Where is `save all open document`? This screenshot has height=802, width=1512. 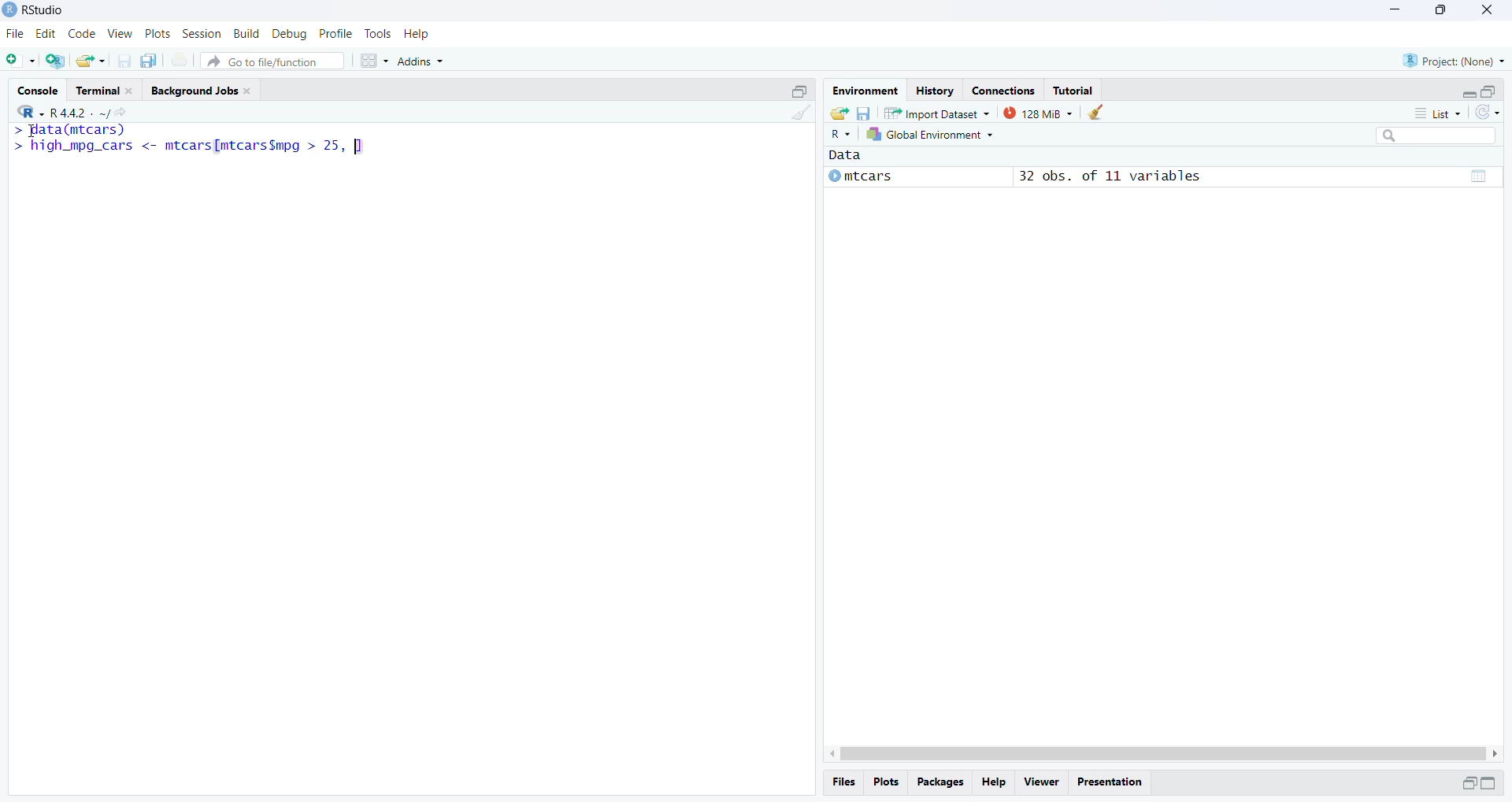 save all open document is located at coordinates (151, 61).